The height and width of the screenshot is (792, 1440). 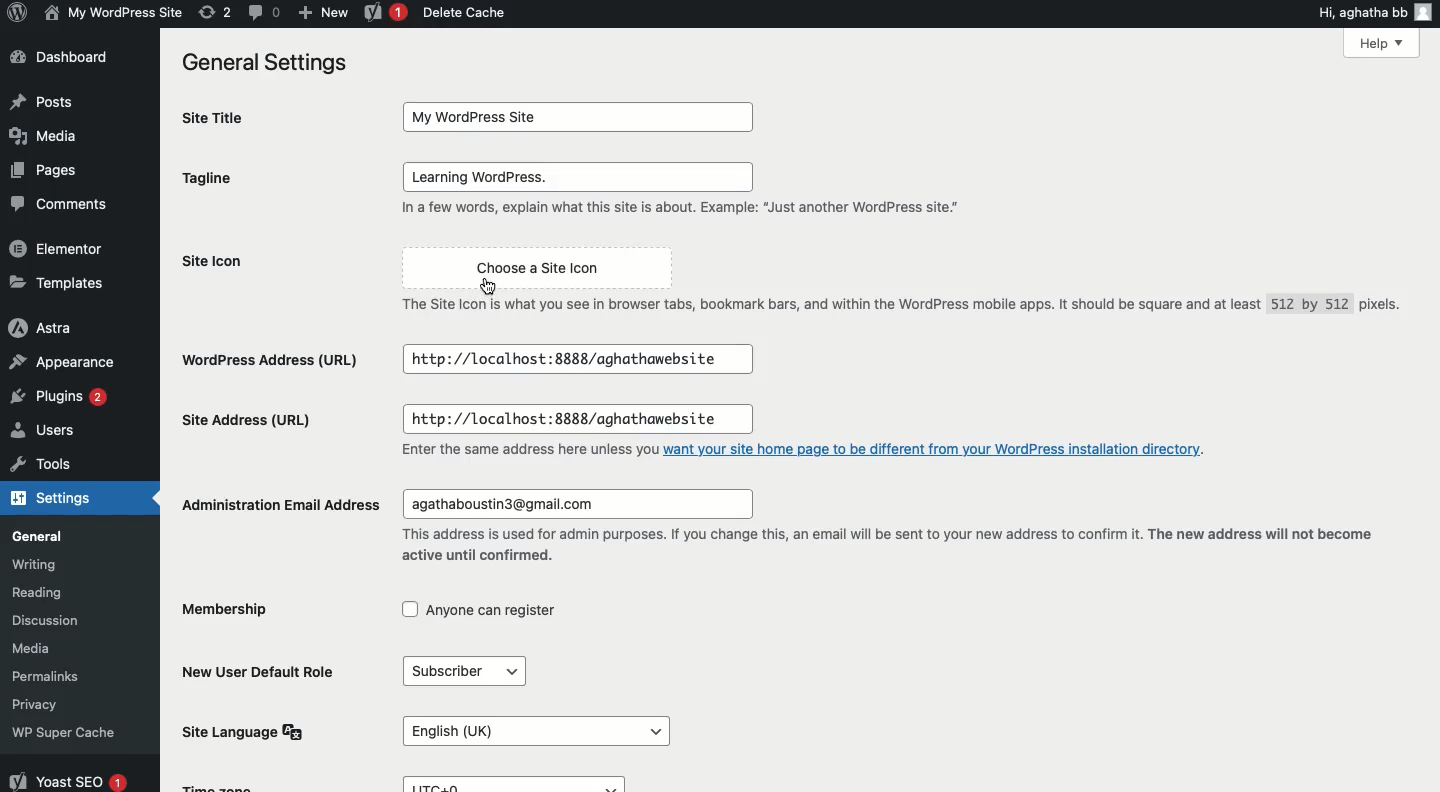 I want to click on English (UK), so click(x=534, y=731).